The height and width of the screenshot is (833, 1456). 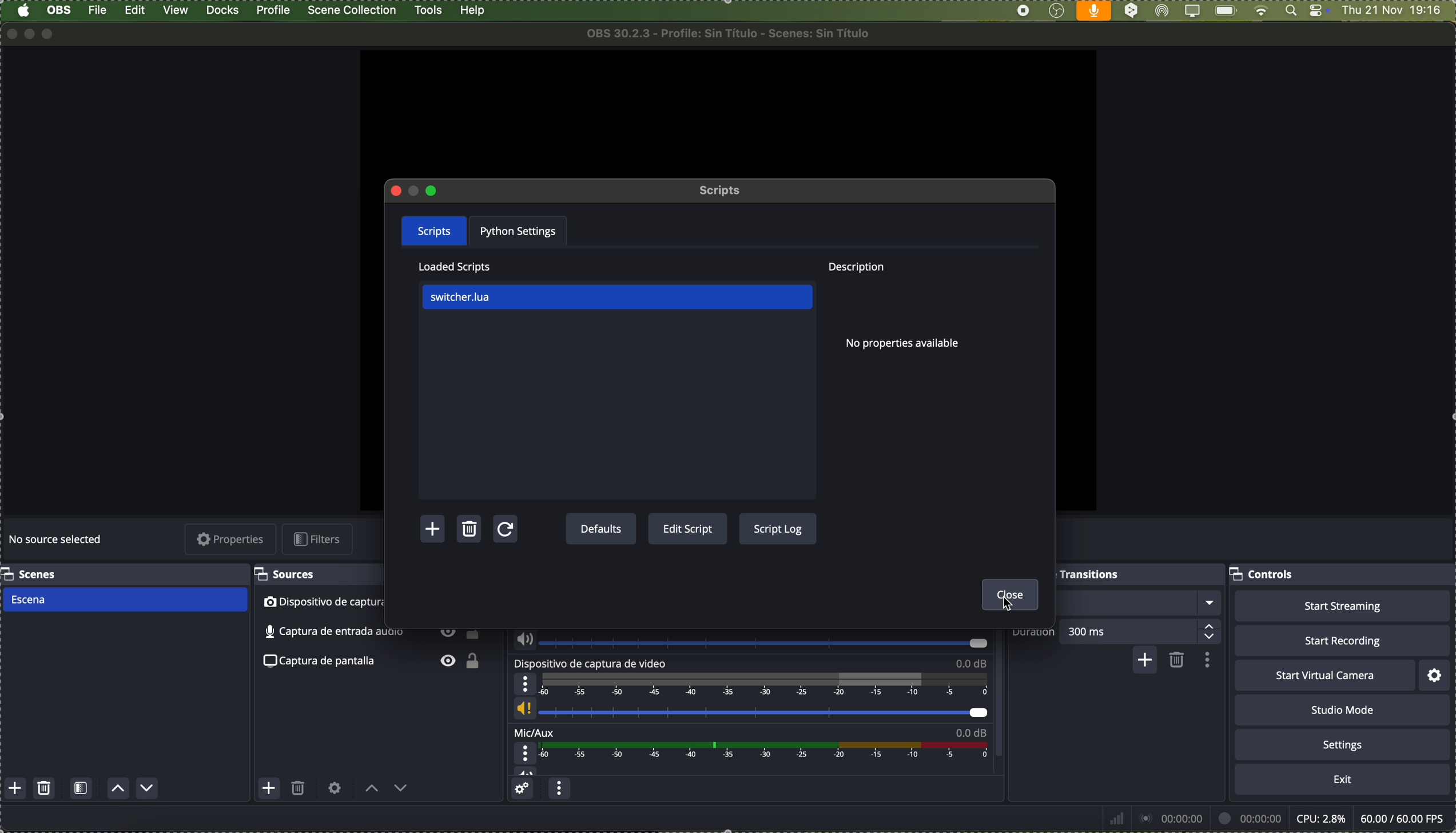 What do you see at coordinates (726, 114) in the screenshot?
I see `workspace` at bounding box center [726, 114].